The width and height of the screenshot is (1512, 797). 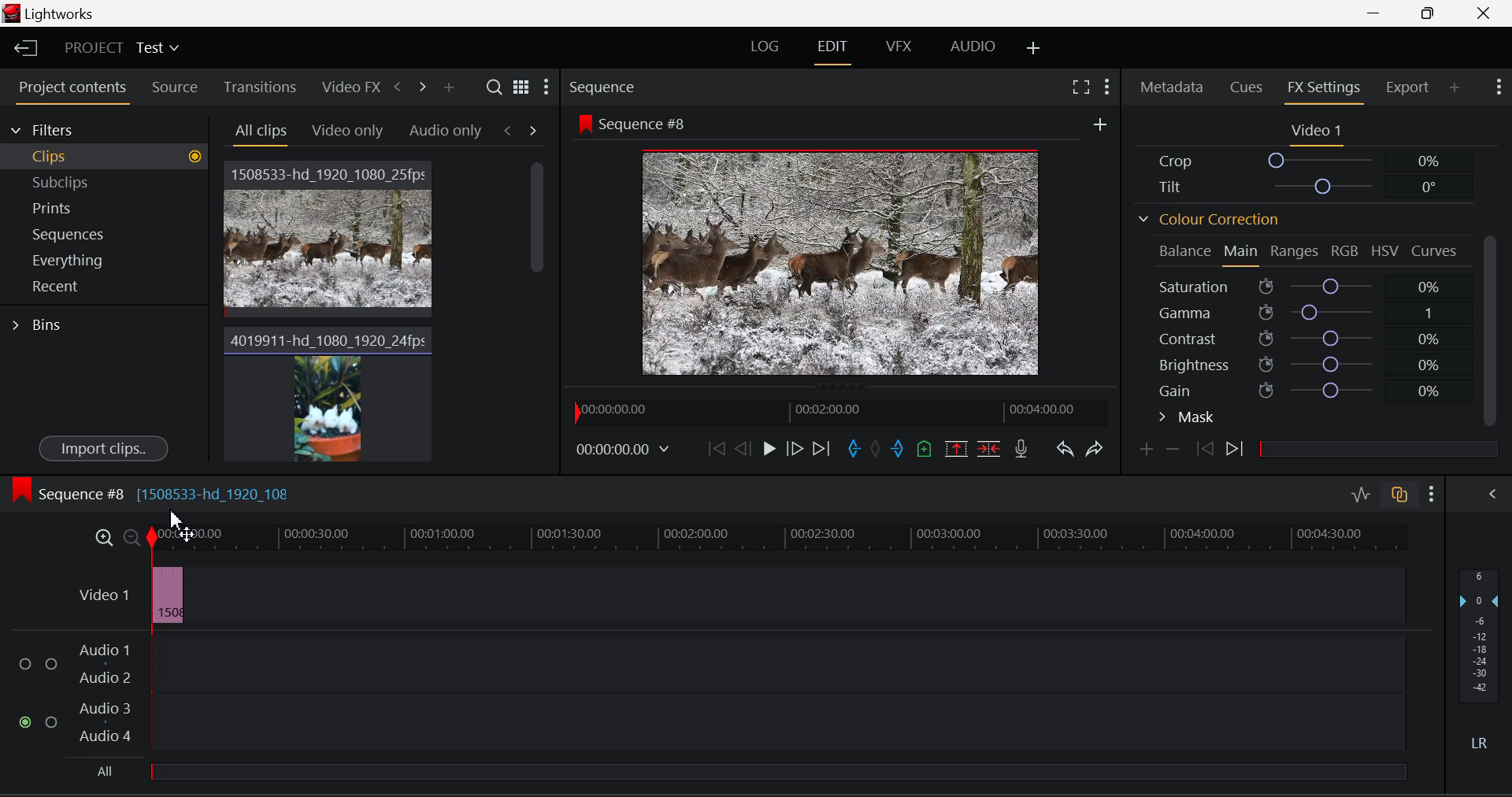 What do you see at coordinates (1304, 393) in the screenshot?
I see `Gain` at bounding box center [1304, 393].